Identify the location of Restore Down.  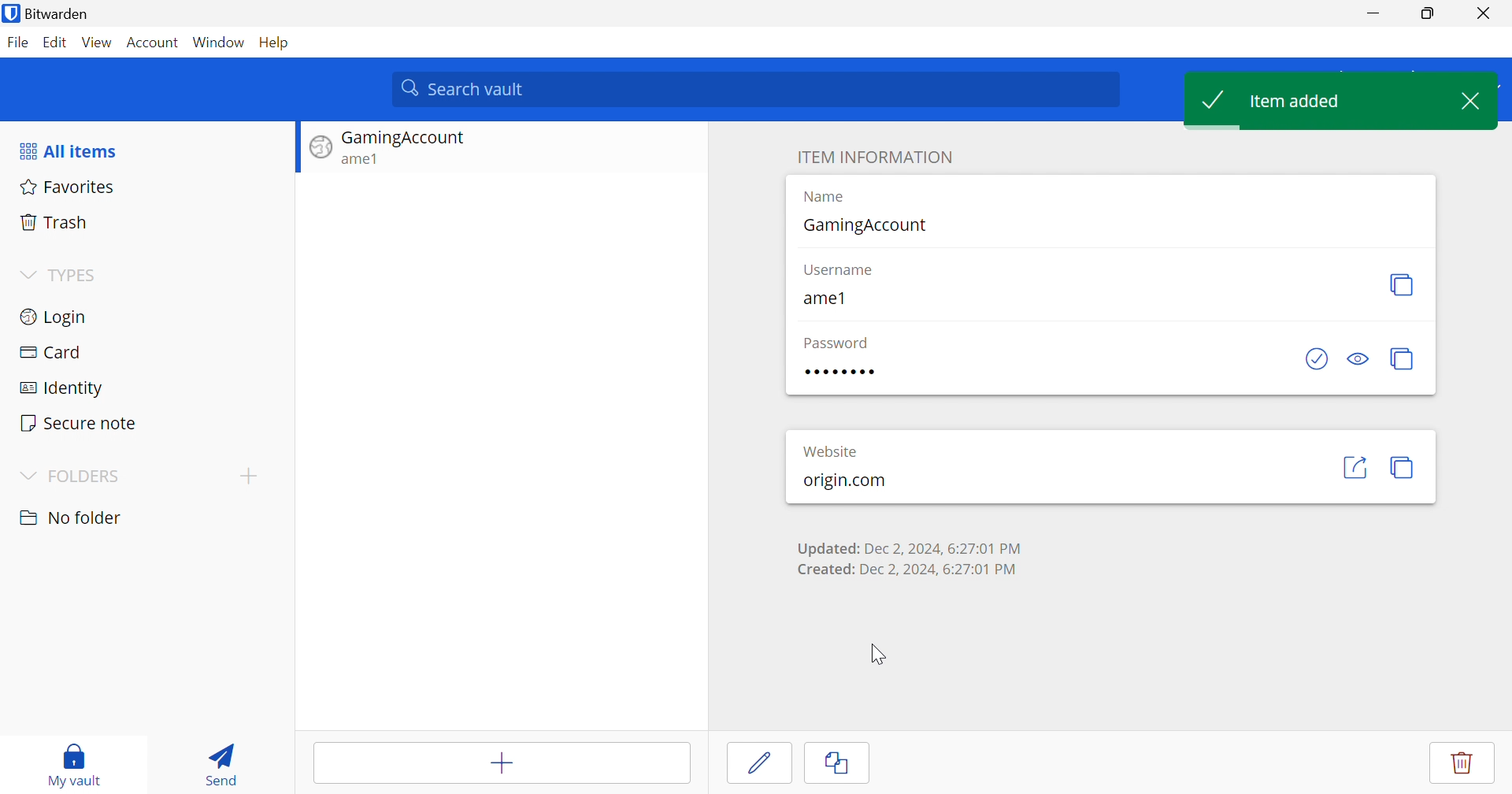
(1429, 14).